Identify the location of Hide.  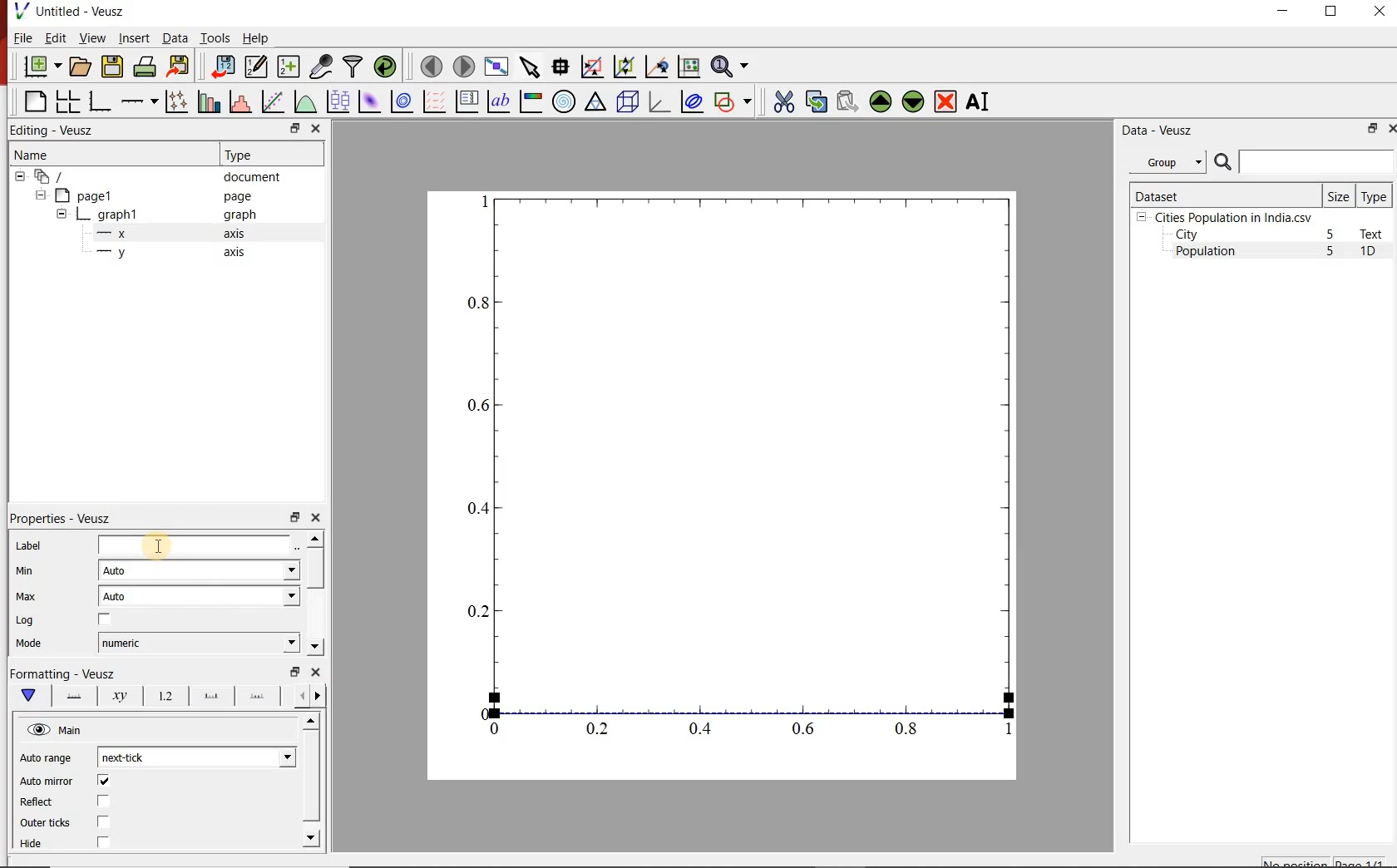
(39, 847).